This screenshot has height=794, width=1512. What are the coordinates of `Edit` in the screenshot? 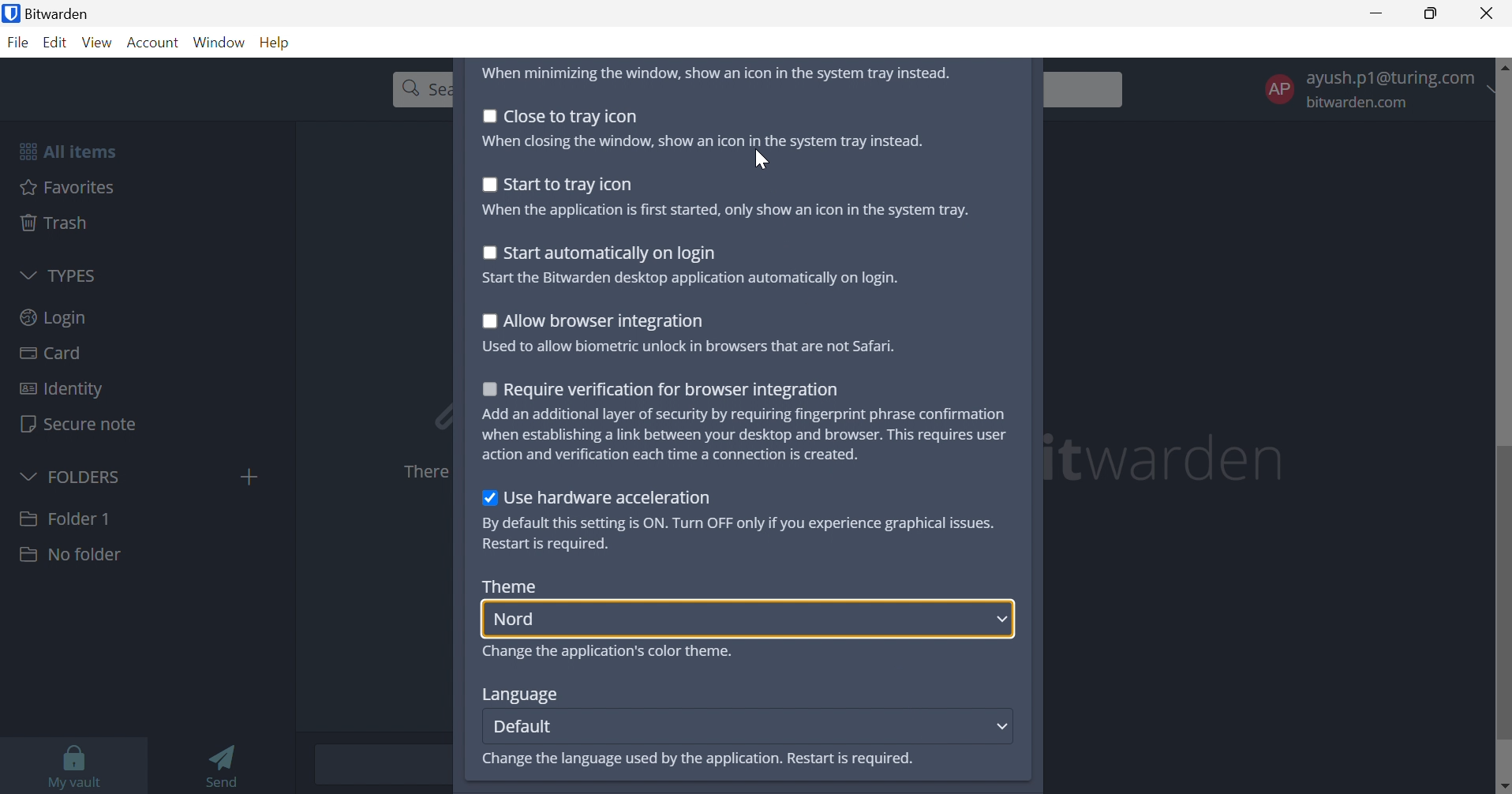 It's located at (56, 44).